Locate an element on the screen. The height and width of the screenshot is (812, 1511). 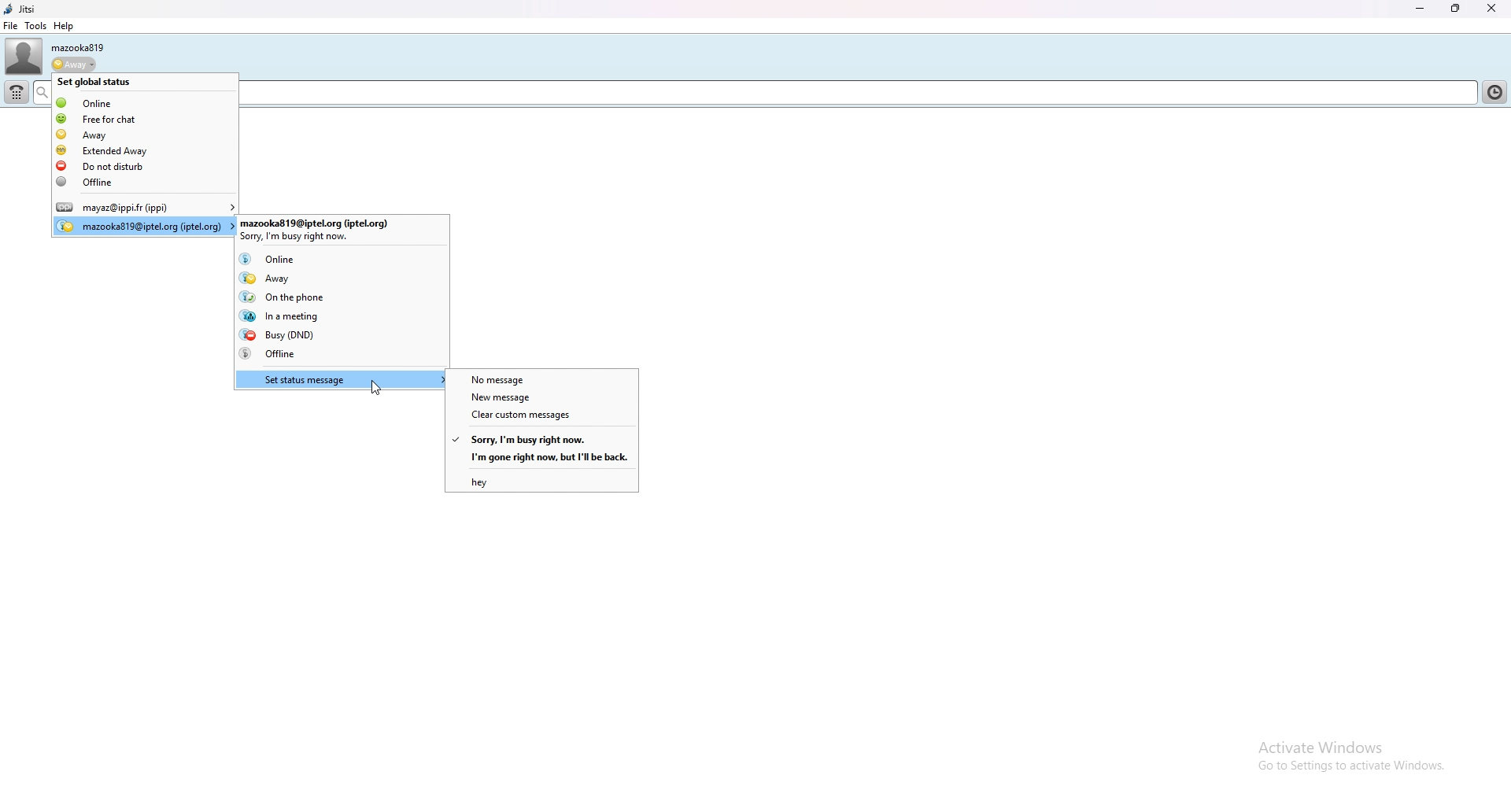
in a meeting is located at coordinates (342, 316).